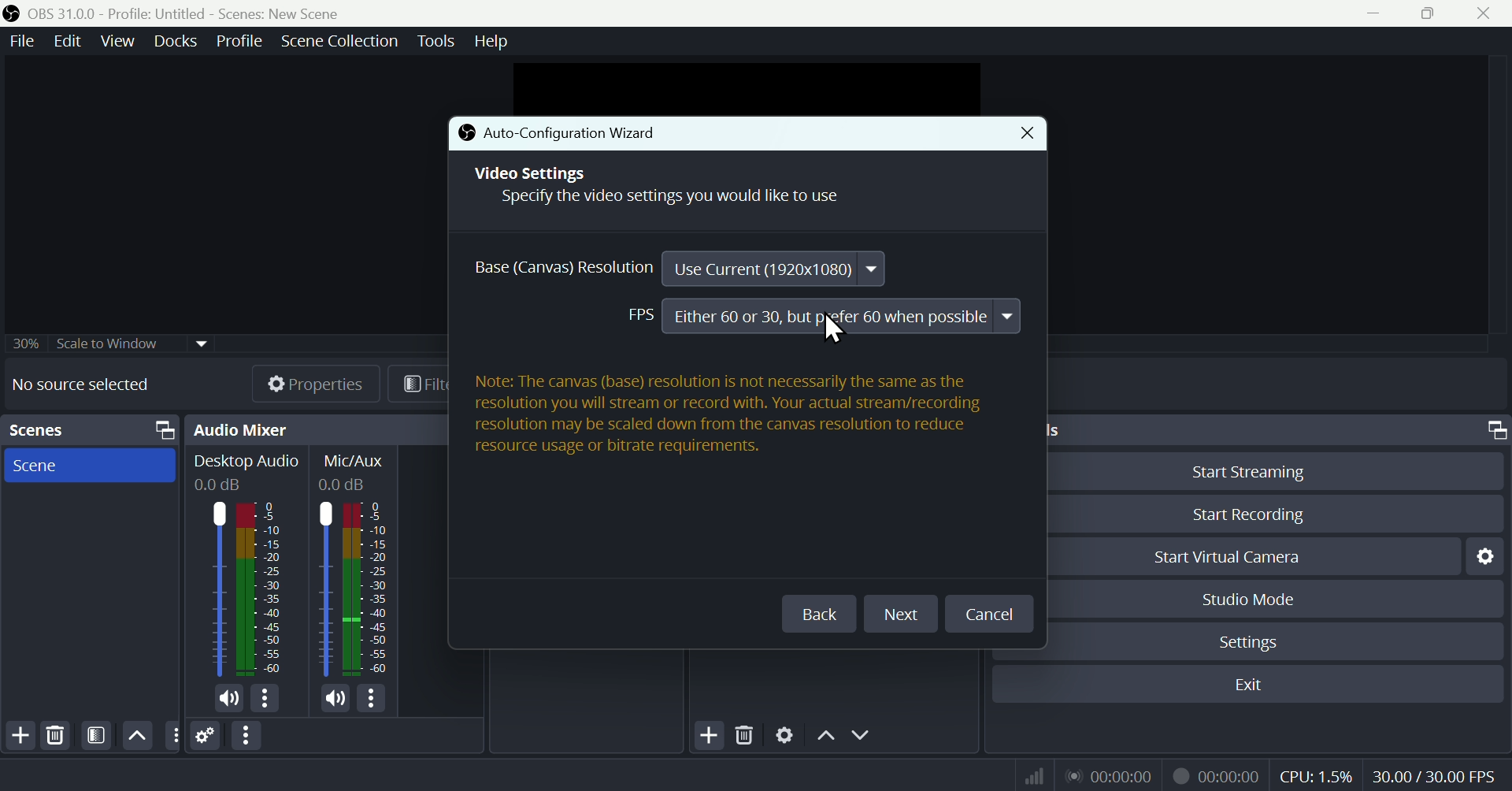 This screenshot has width=1512, height=791. What do you see at coordinates (301, 383) in the screenshot?
I see `Properties` at bounding box center [301, 383].